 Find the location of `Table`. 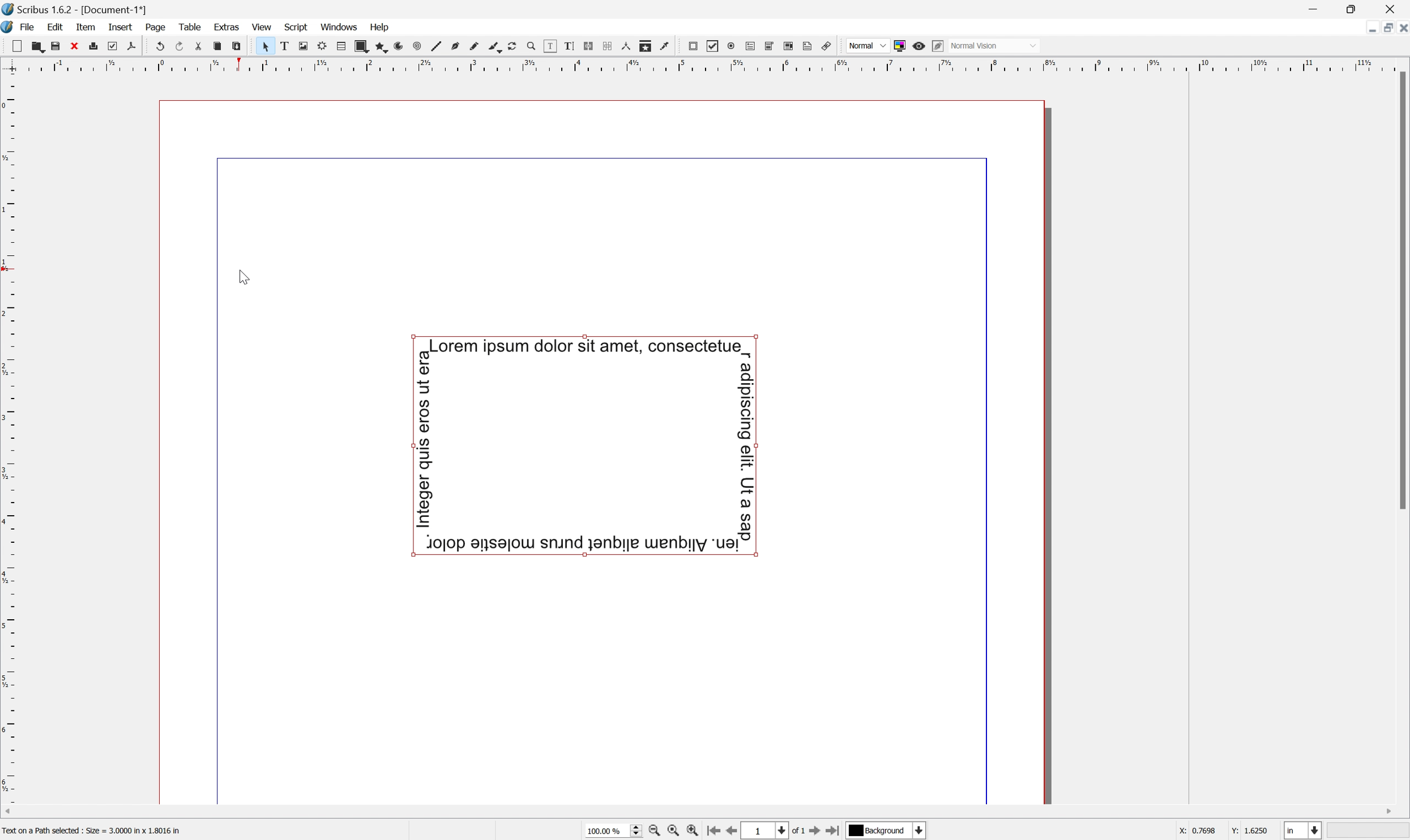

Table is located at coordinates (191, 28).